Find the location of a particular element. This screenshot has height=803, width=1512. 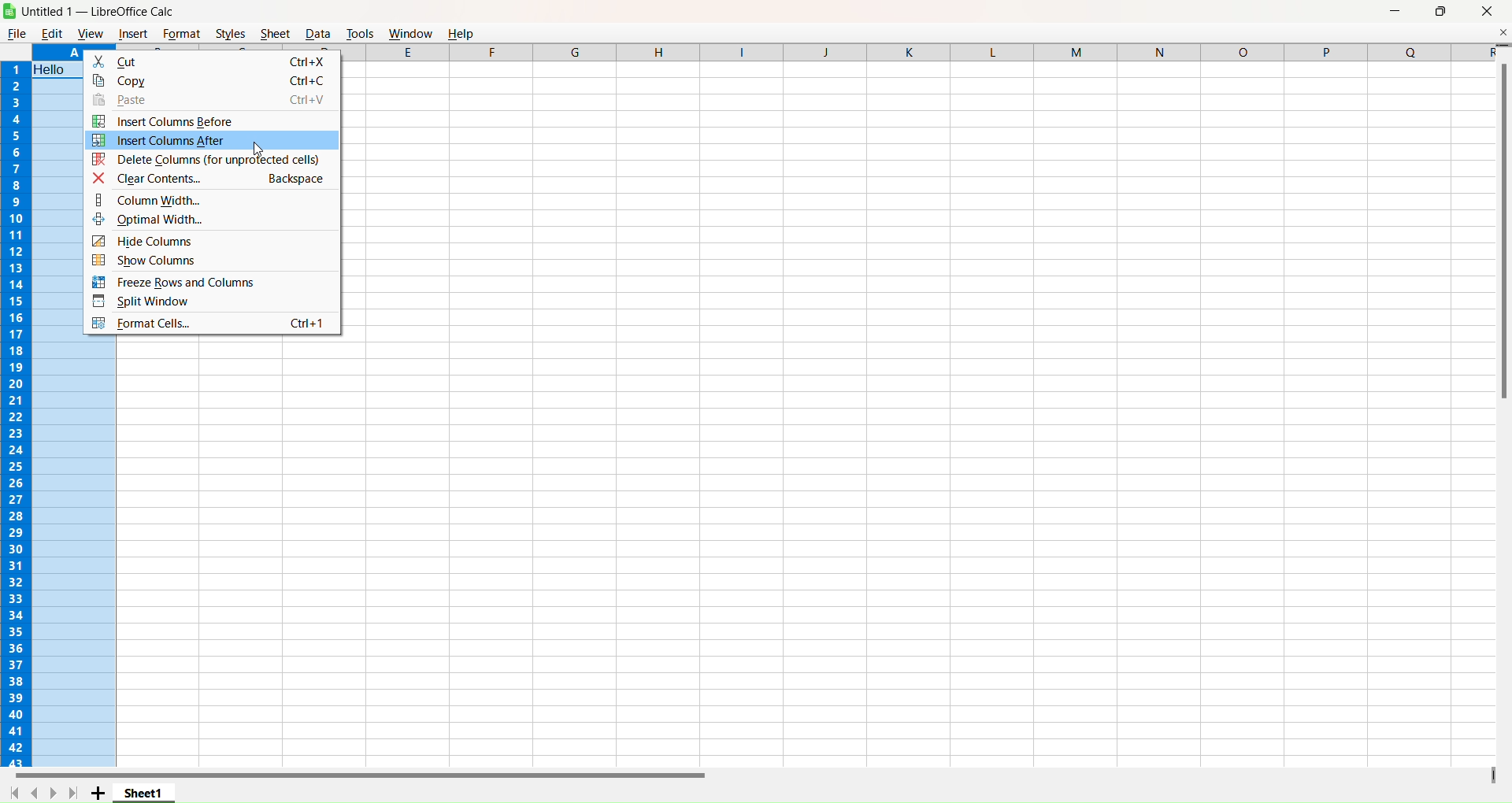

Format is located at coordinates (181, 33).